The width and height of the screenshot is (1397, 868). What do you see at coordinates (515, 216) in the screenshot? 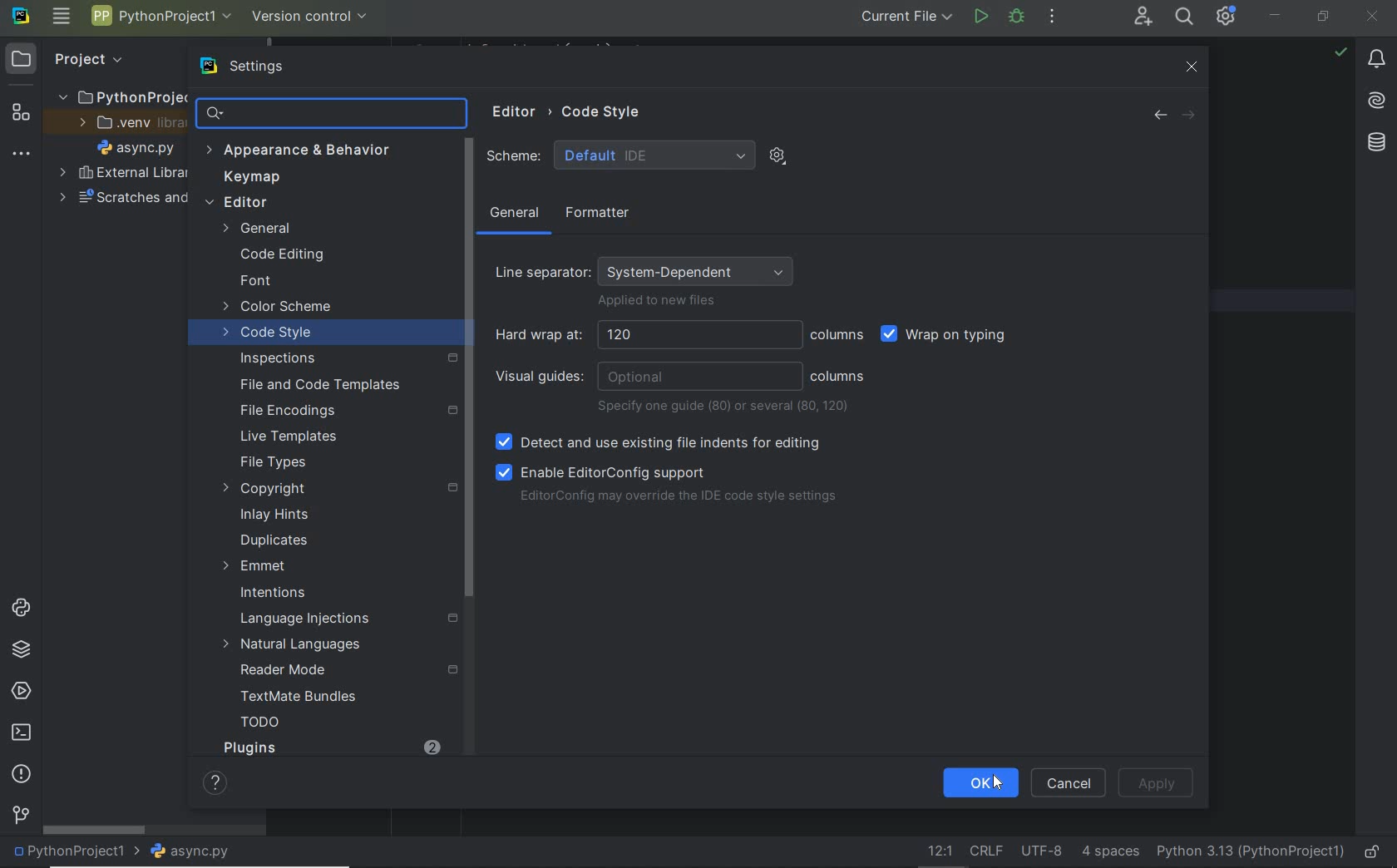
I see `general` at bounding box center [515, 216].